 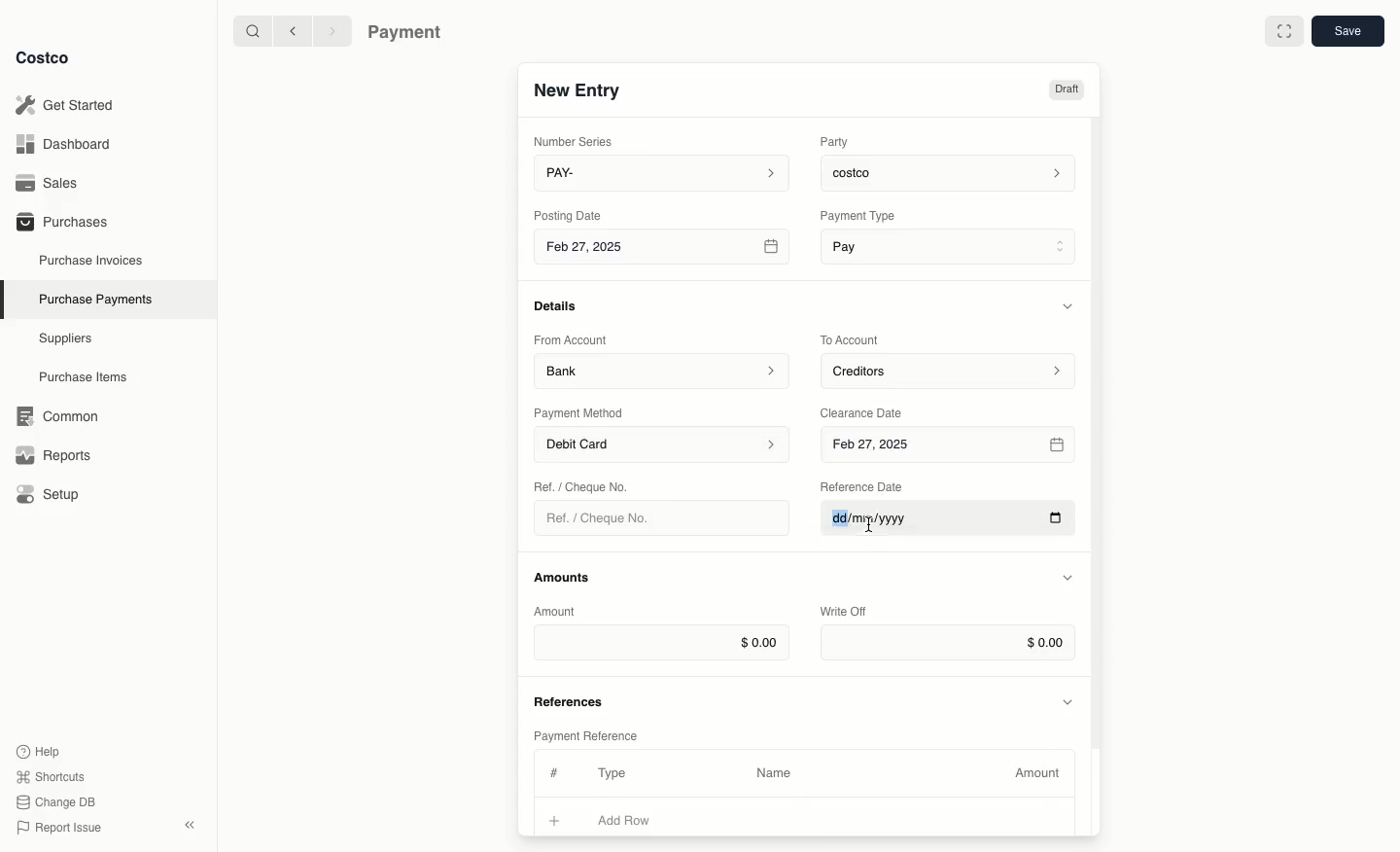 What do you see at coordinates (409, 34) in the screenshot?
I see `Payment` at bounding box center [409, 34].